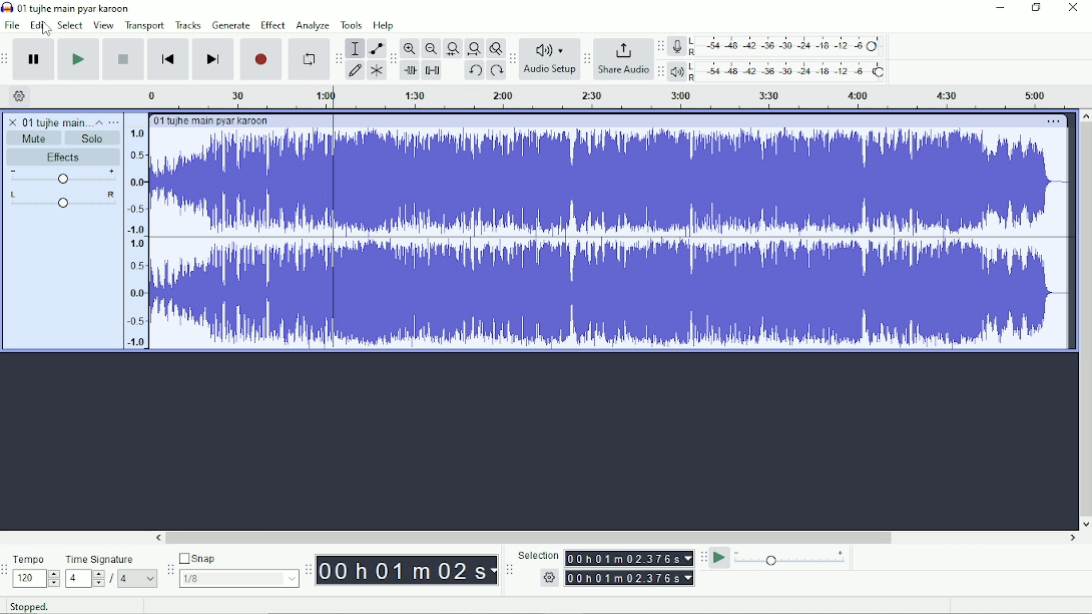 This screenshot has height=614, width=1092. I want to click on Skip to start, so click(168, 59).